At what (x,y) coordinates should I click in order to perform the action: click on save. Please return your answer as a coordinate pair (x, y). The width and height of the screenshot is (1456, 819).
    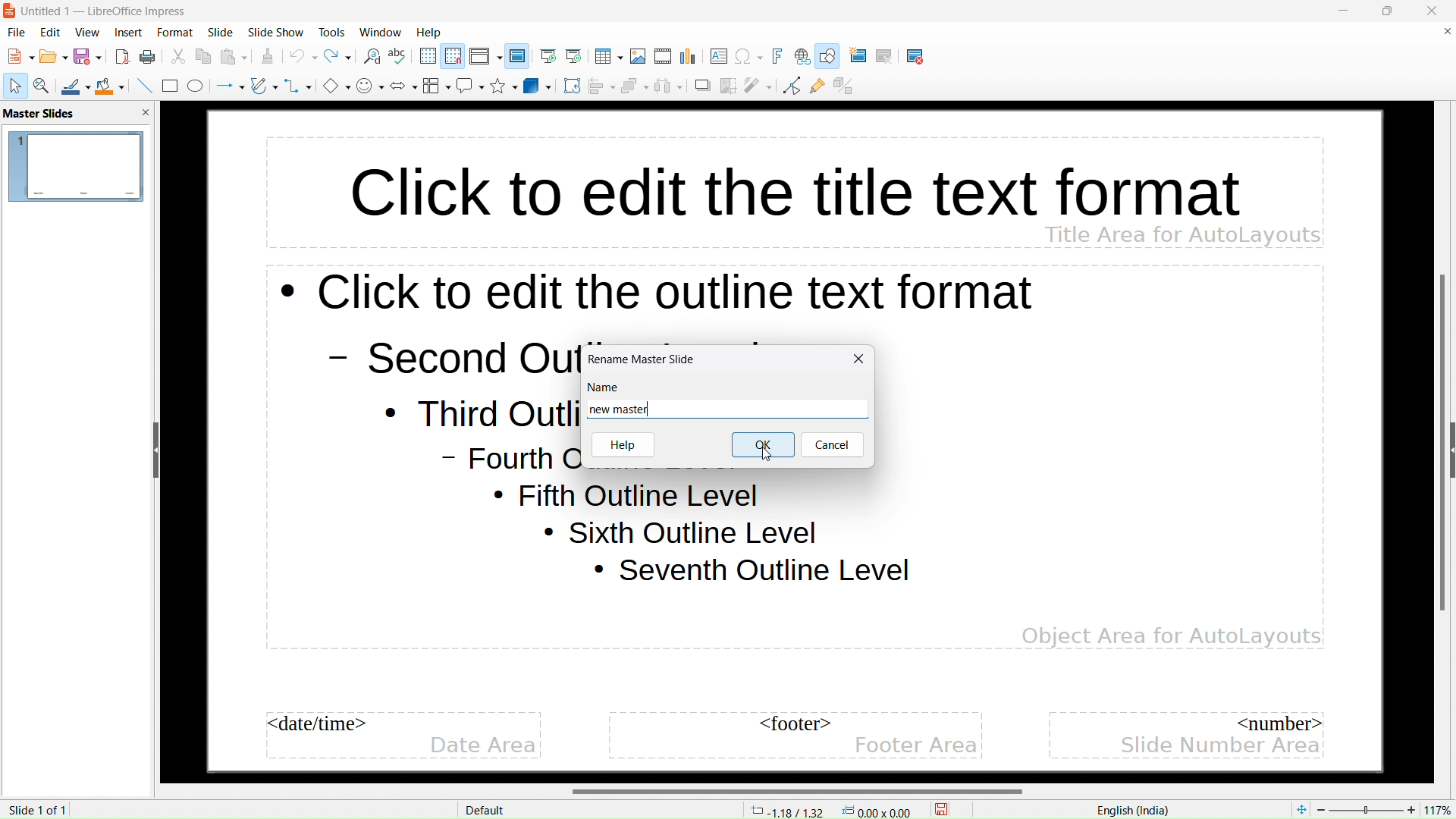
    Looking at the image, I should click on (89, 56).